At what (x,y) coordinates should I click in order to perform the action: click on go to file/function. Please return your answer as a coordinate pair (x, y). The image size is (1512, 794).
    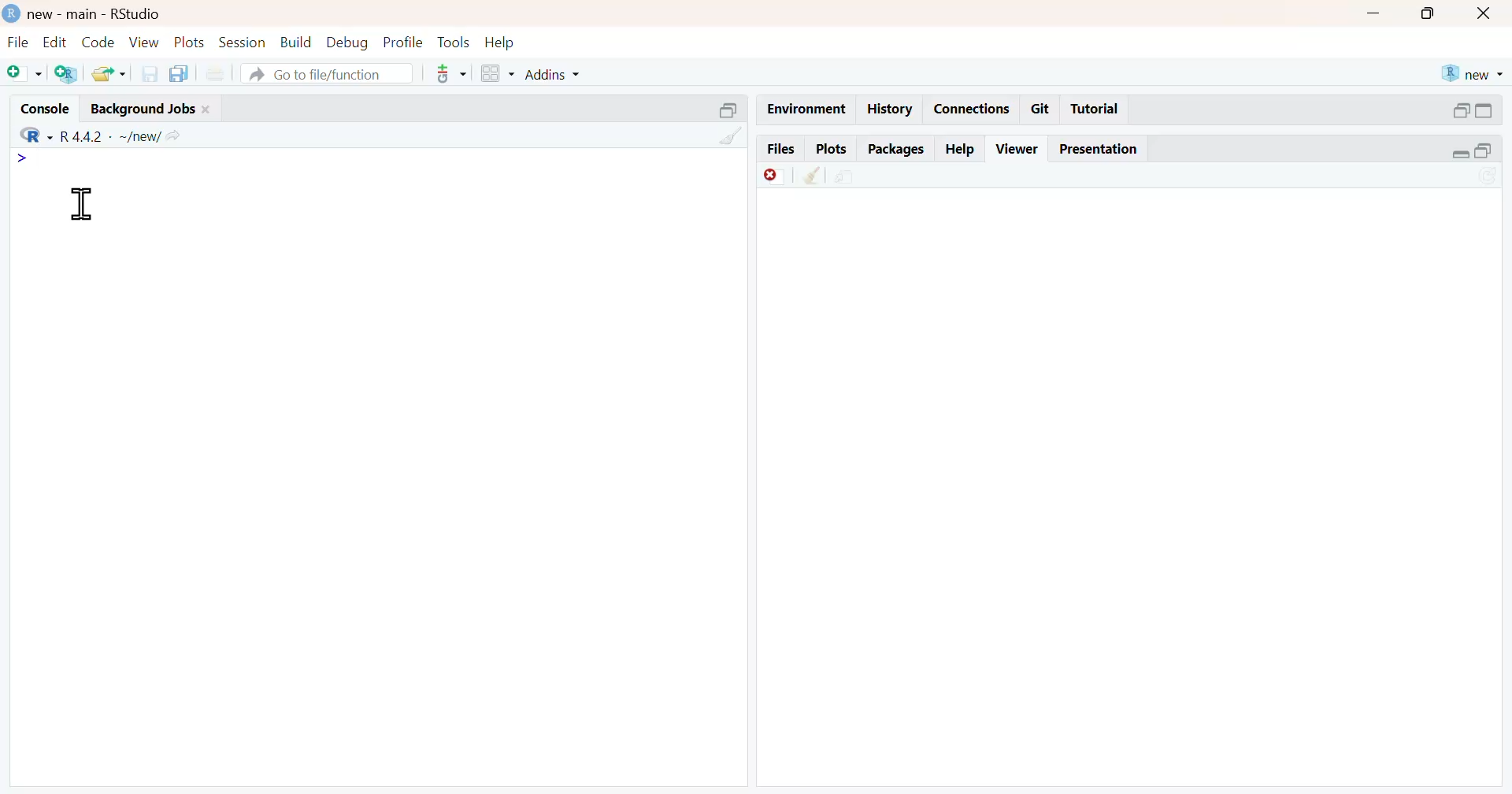
    Looking at the image, I should click on (327, 74).